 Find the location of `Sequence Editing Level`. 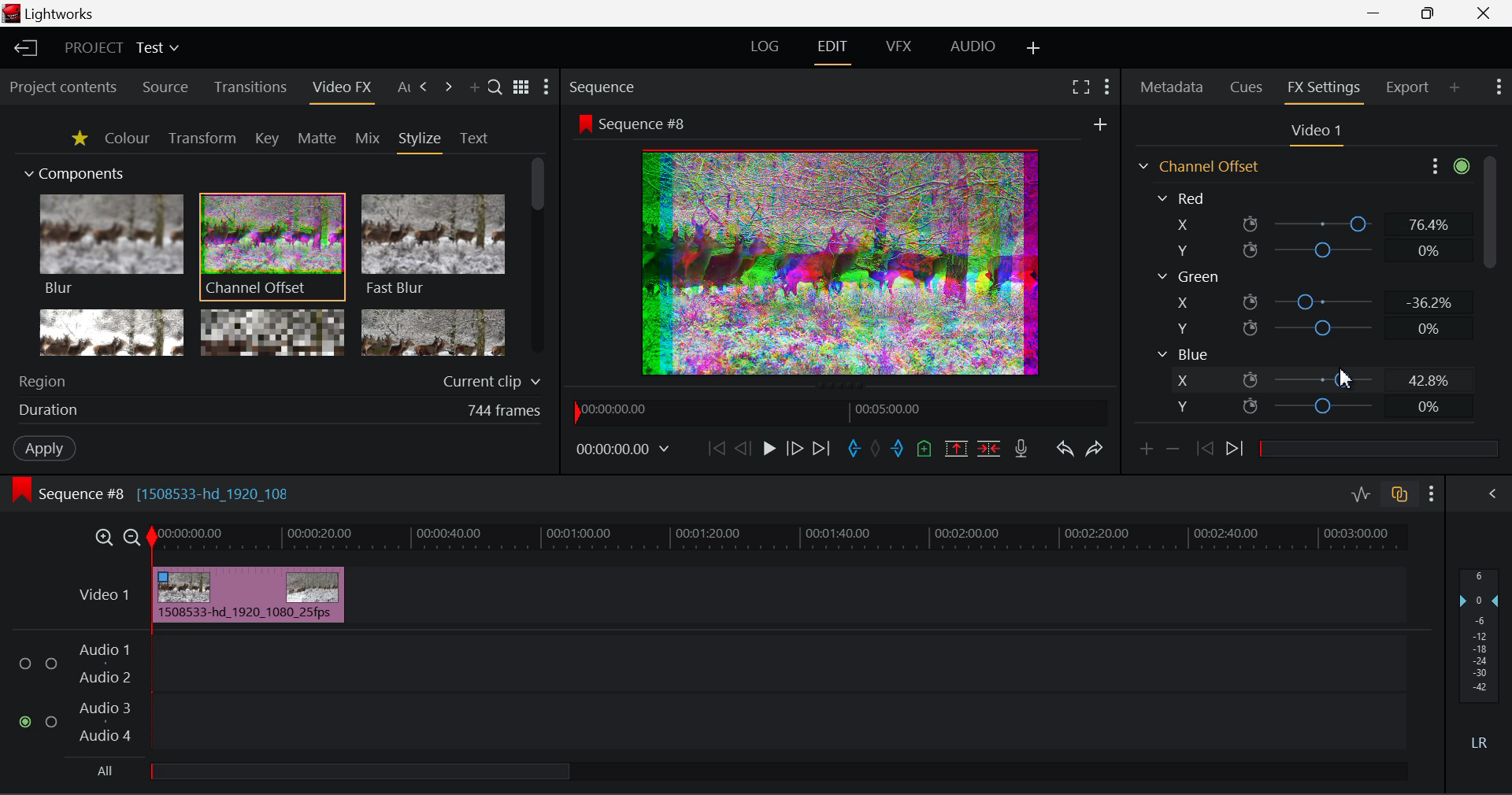

Sequence Editing Level is located at coordinates (63, 497).